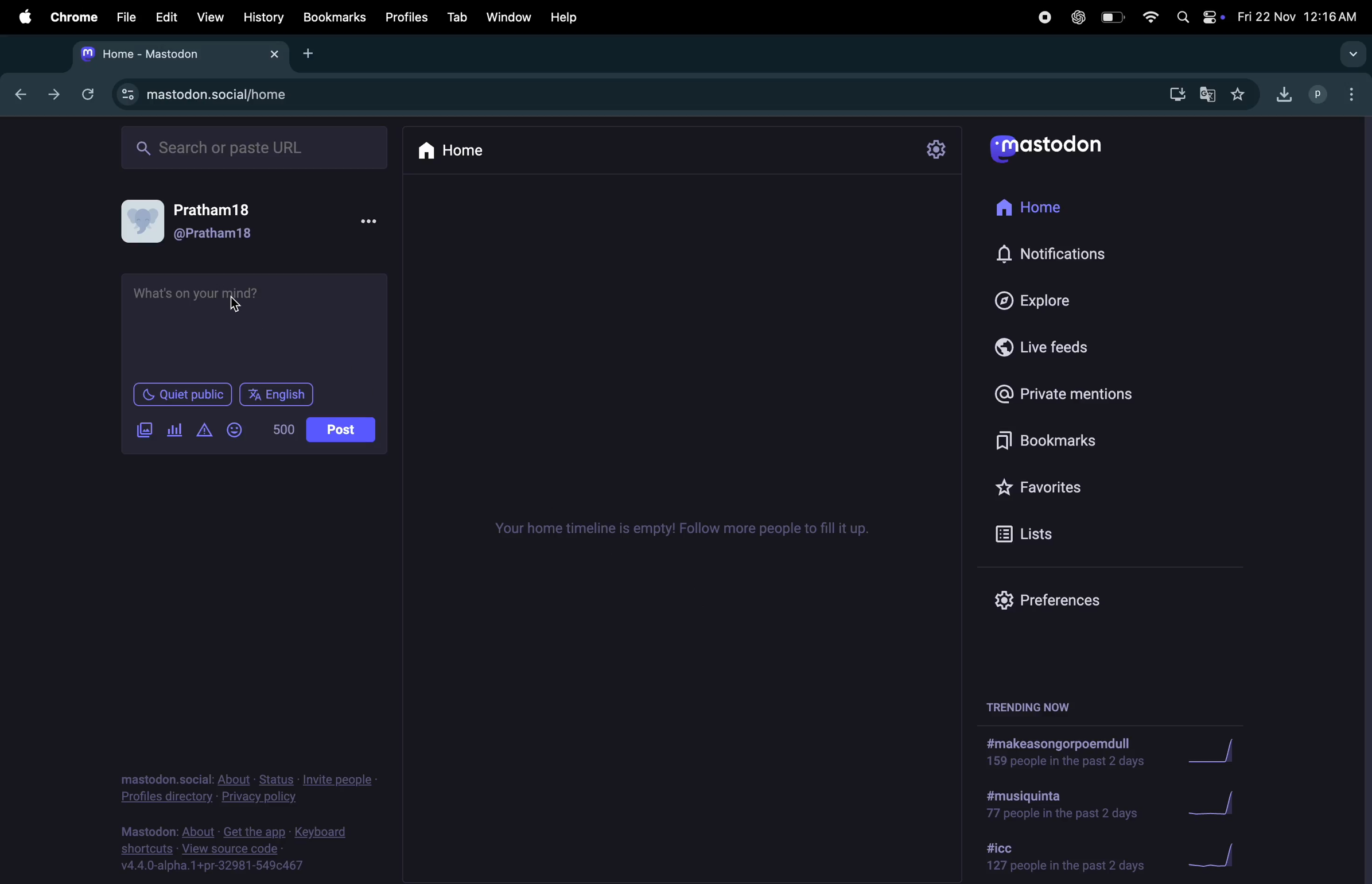 Image resolution: width=1372 pixels, height=884 pixels. What do you see at coordinates (274, 396) in the screenshot?
I see `english` at bounding box center [274, 396].